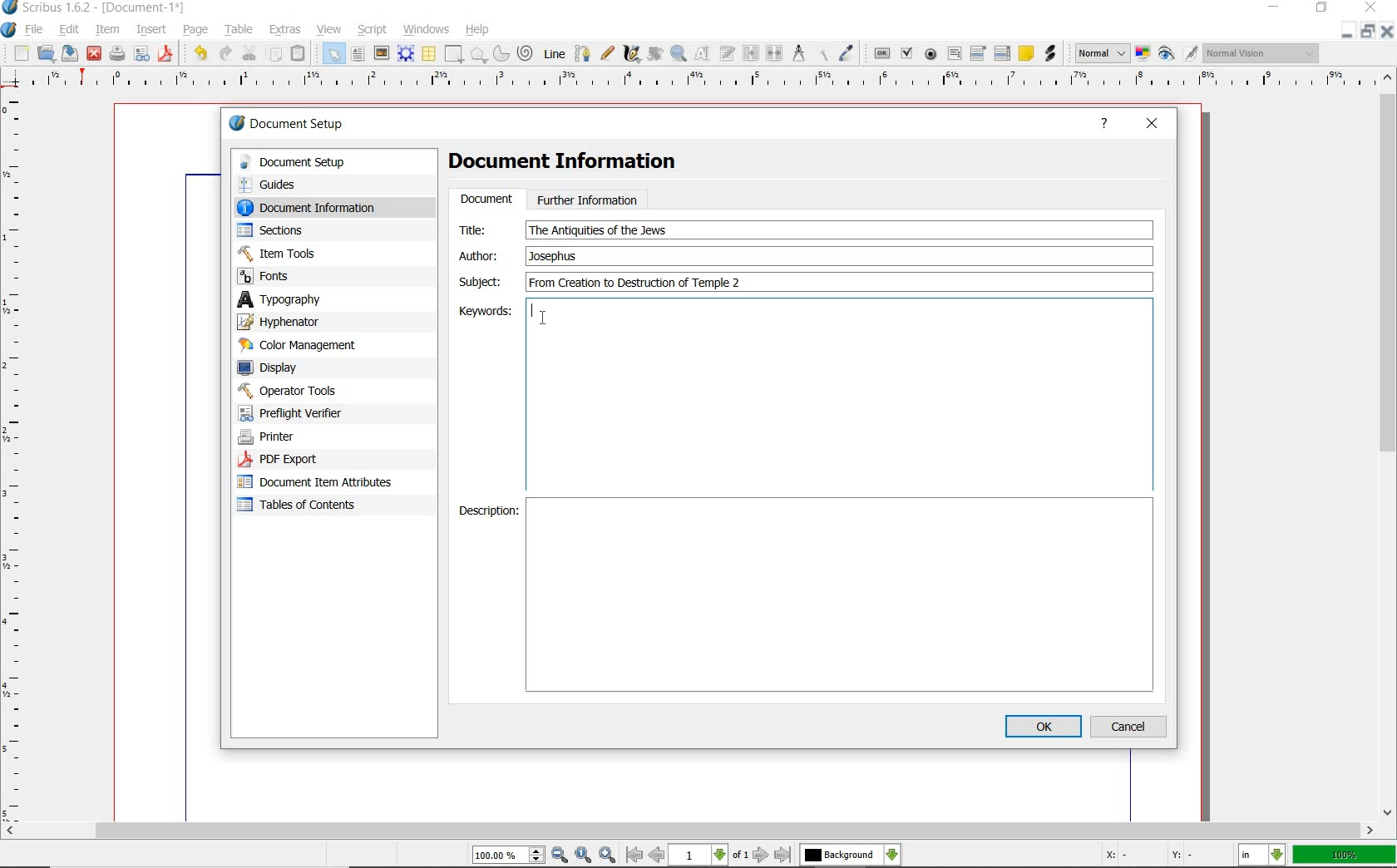 The height and width of the screenshot is (868, 1397). I want to click on insert, so click(151, 29).